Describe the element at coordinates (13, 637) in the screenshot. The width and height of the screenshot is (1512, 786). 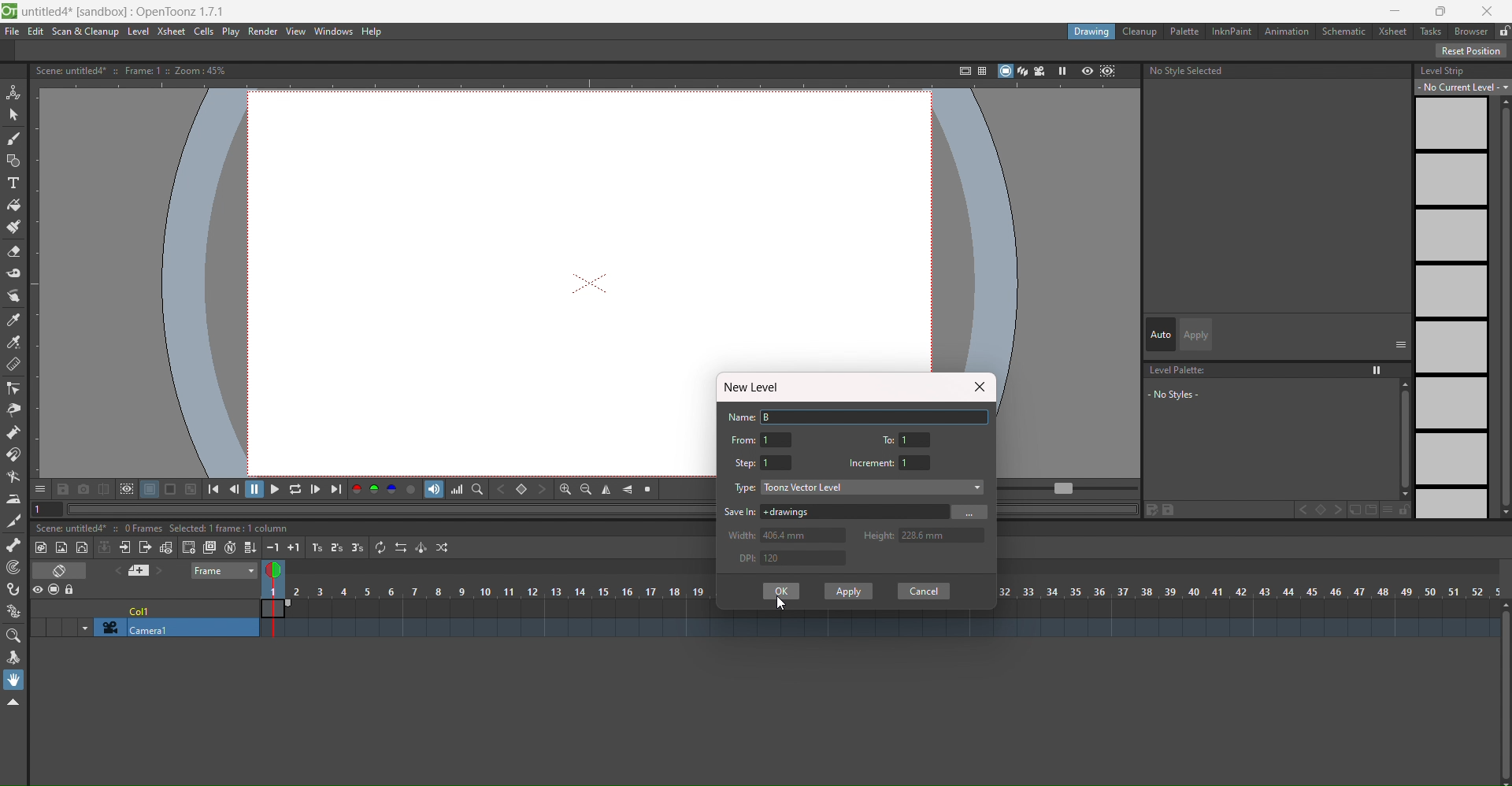
I see `magnifier tool` at that location.